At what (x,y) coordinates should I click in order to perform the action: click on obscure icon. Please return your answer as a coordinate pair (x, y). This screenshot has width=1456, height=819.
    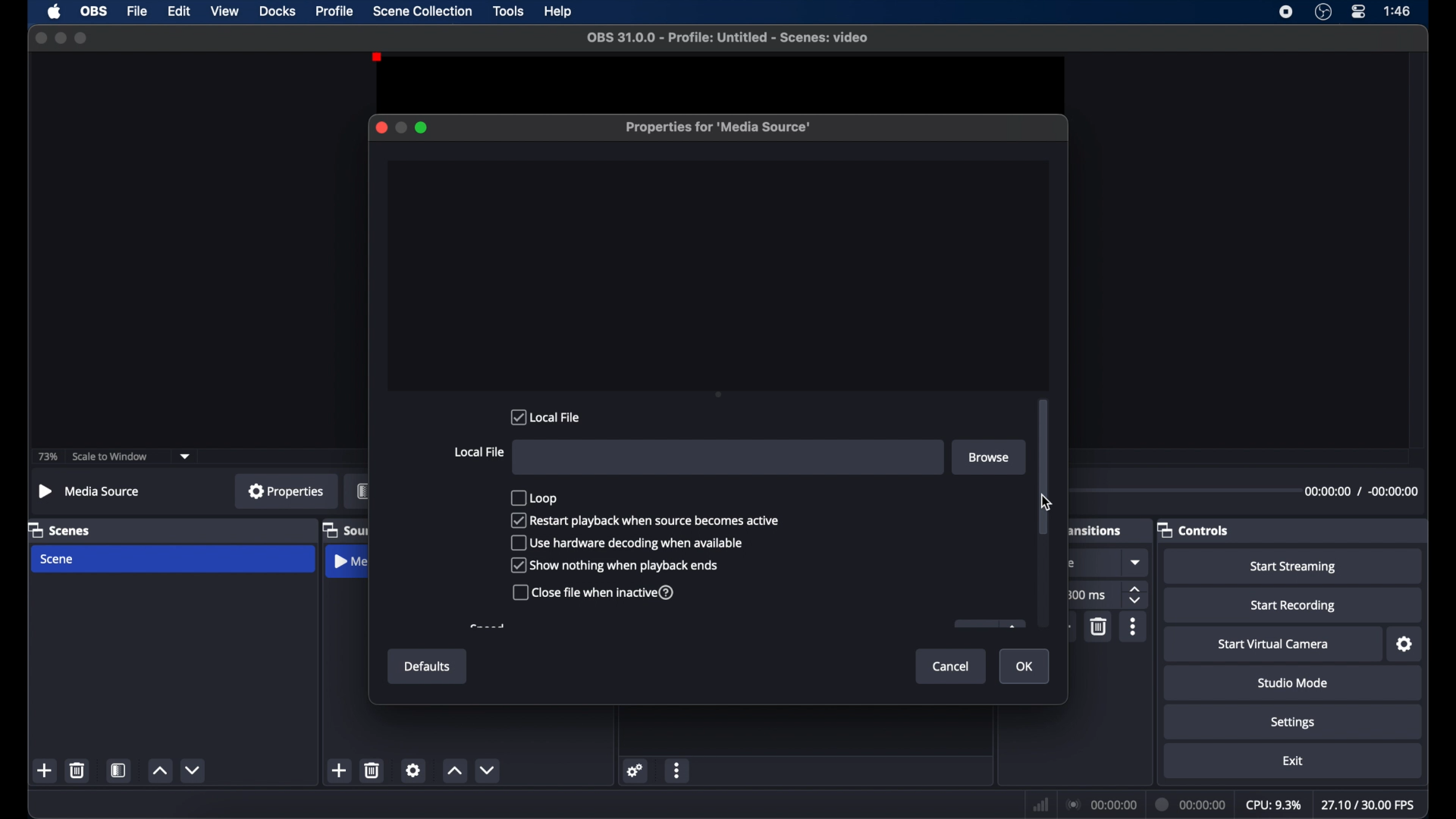
    Looking at the image, I should click on (990, 623).